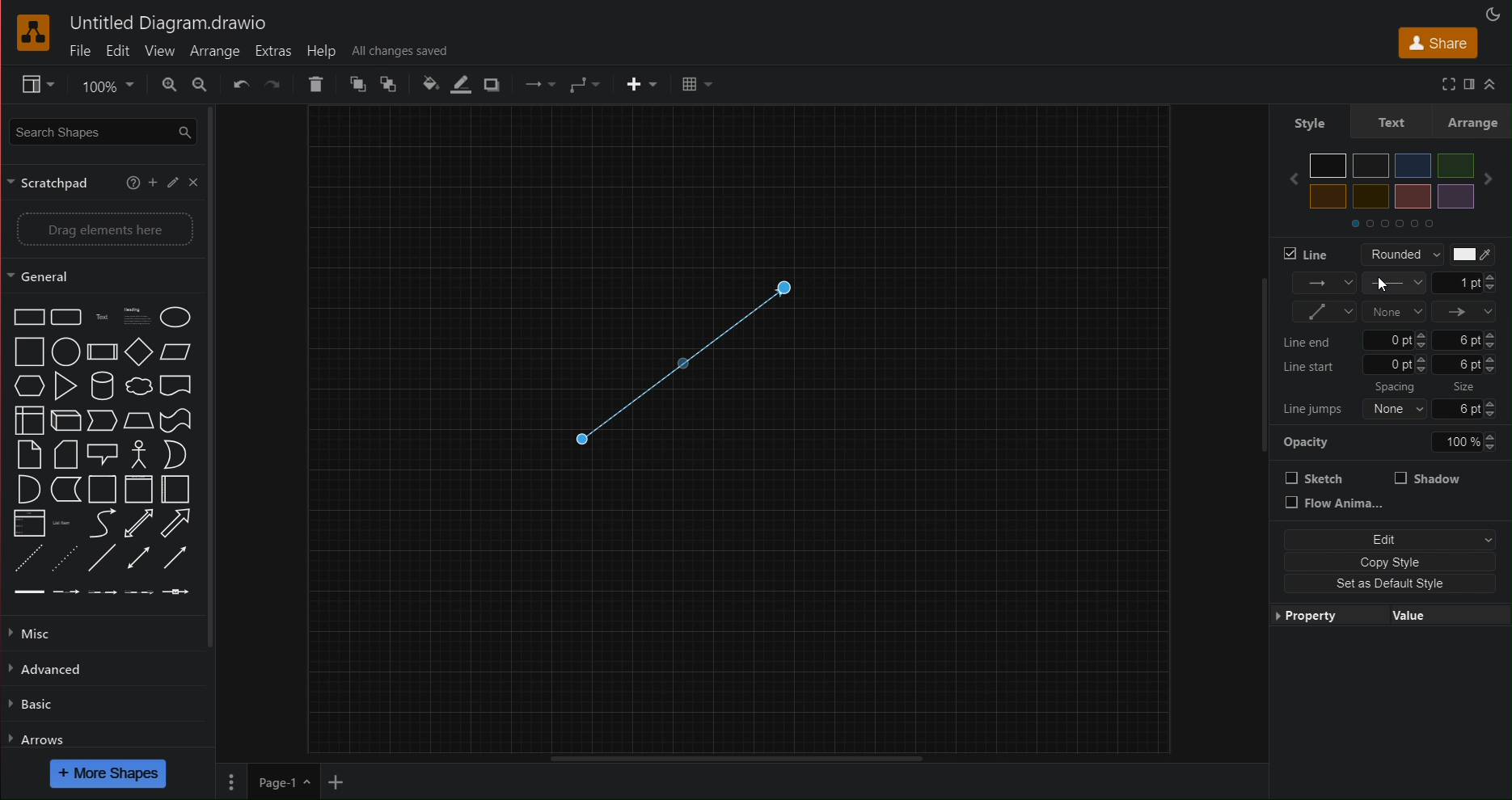 This screenshot has width=1512, height=800. Describe the element at coordinates (109, 773) in the screenshot. I see `More Shapes` at that location.